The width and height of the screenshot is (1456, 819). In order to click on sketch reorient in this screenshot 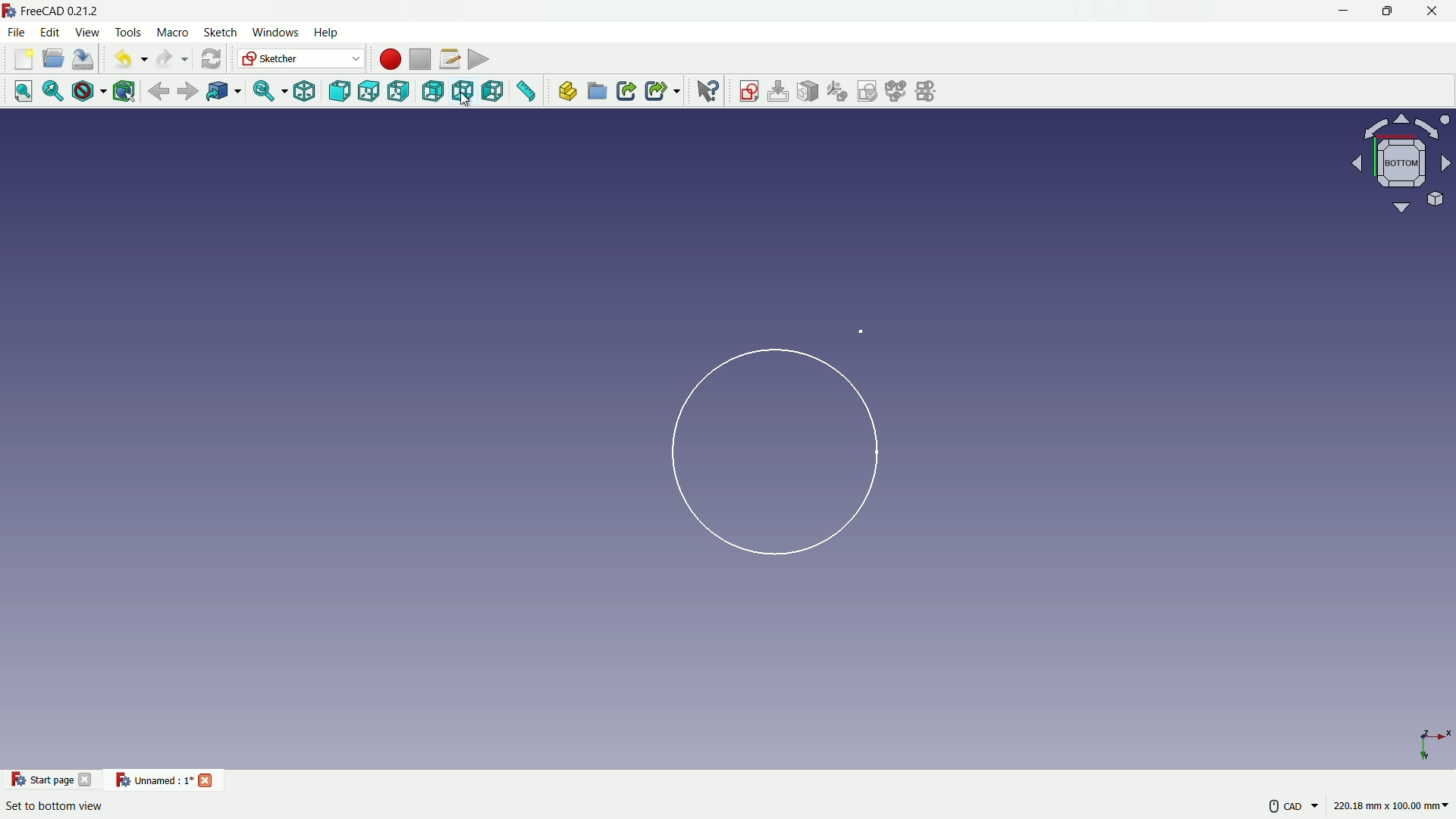, I will do `click(838, 92)`.